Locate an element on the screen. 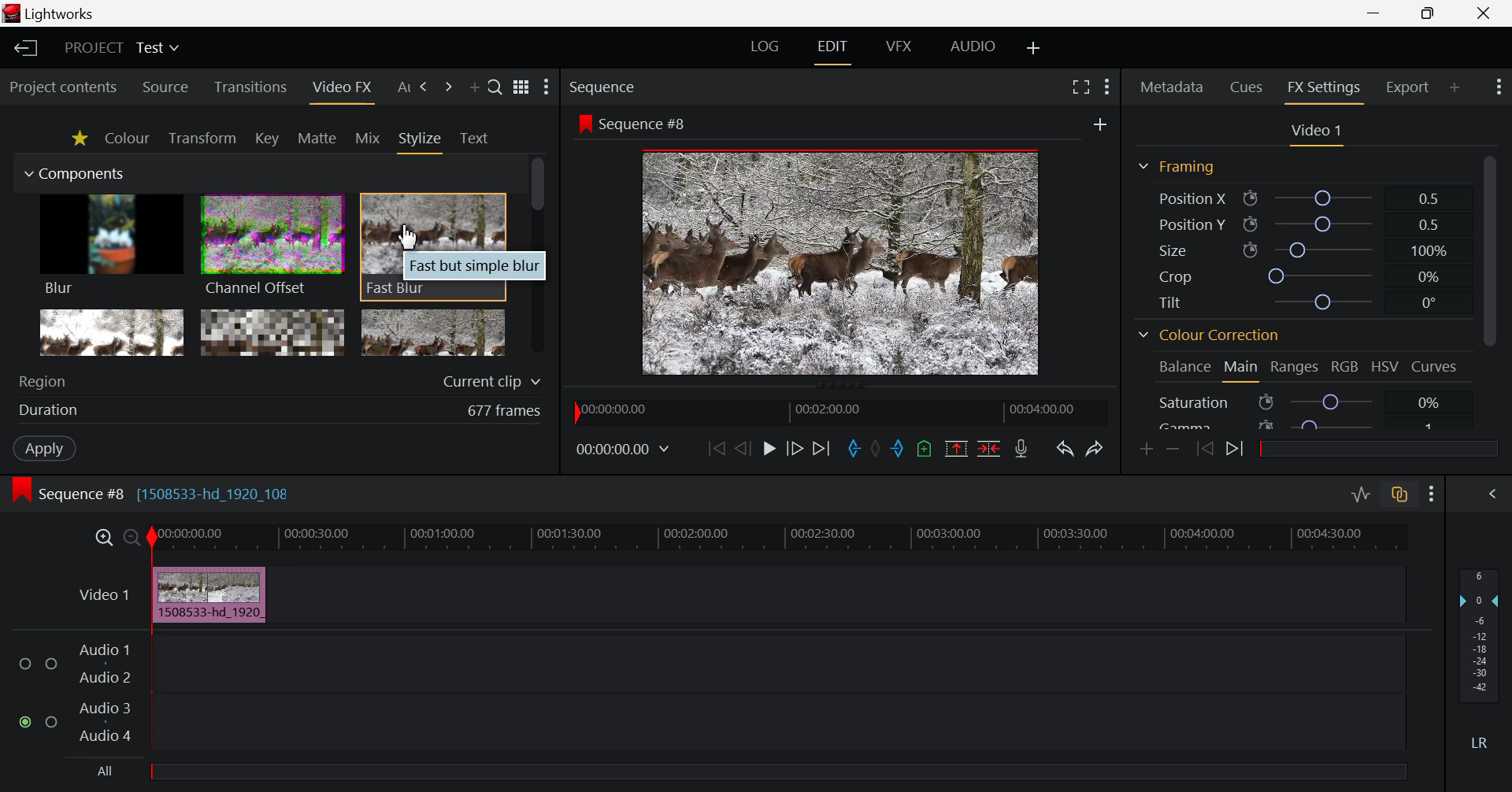 This screenshot has height=792, width=1512. Transitions is located at coordinates (261, 88).